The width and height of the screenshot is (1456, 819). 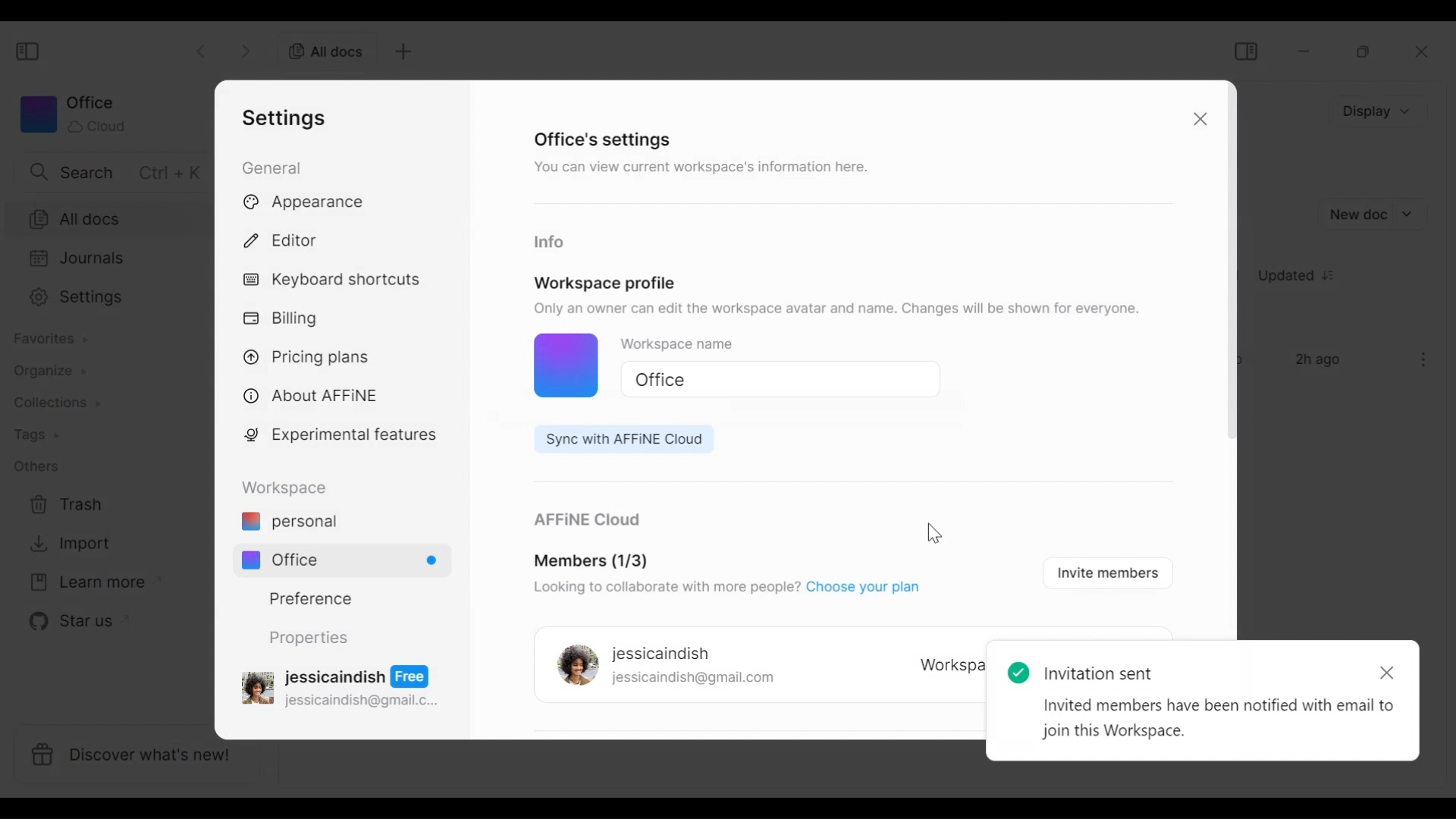 I want to click on Show/Hide Sidebar, so click(x=30, y=52).